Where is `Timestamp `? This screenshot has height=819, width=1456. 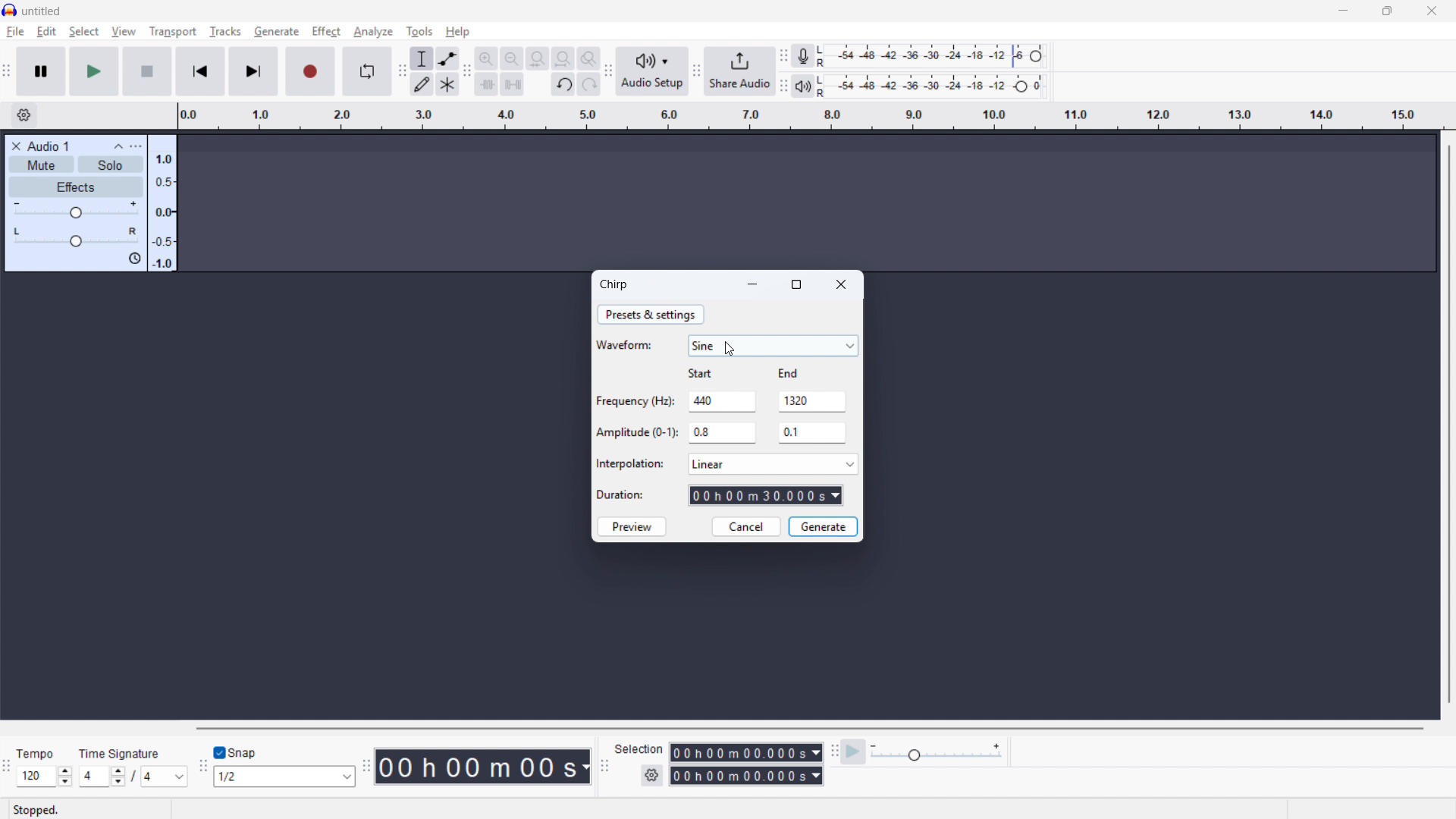
Timestamp  is located at coordinates (483, 767).